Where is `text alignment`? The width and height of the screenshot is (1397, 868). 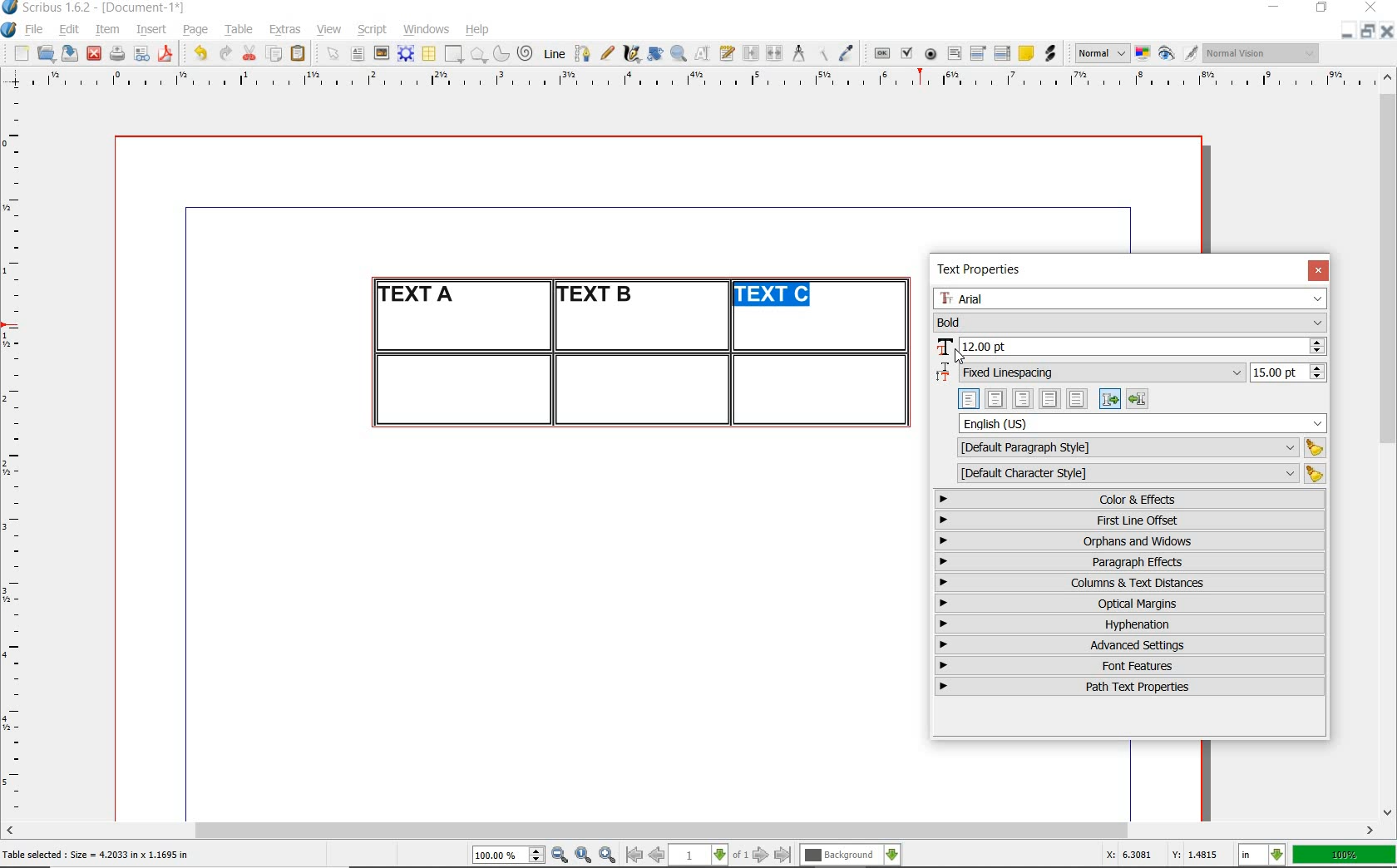 text alignment is located at coordinates (1053, 398).